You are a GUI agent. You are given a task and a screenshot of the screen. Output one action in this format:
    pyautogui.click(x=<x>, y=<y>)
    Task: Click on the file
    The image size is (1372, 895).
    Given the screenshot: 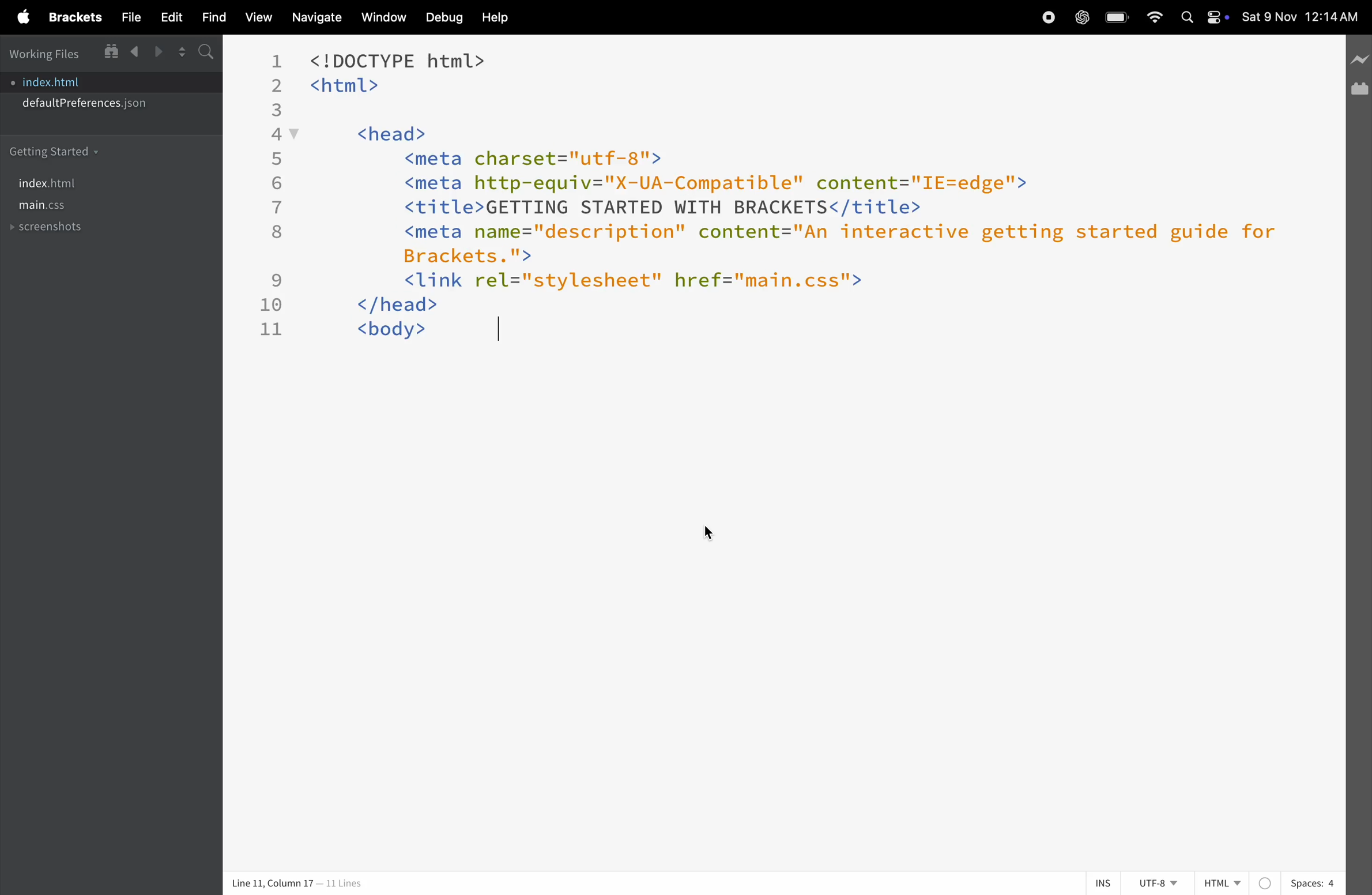 What is the action you would take?
    pyautogui.click(x=129, y=17)
    